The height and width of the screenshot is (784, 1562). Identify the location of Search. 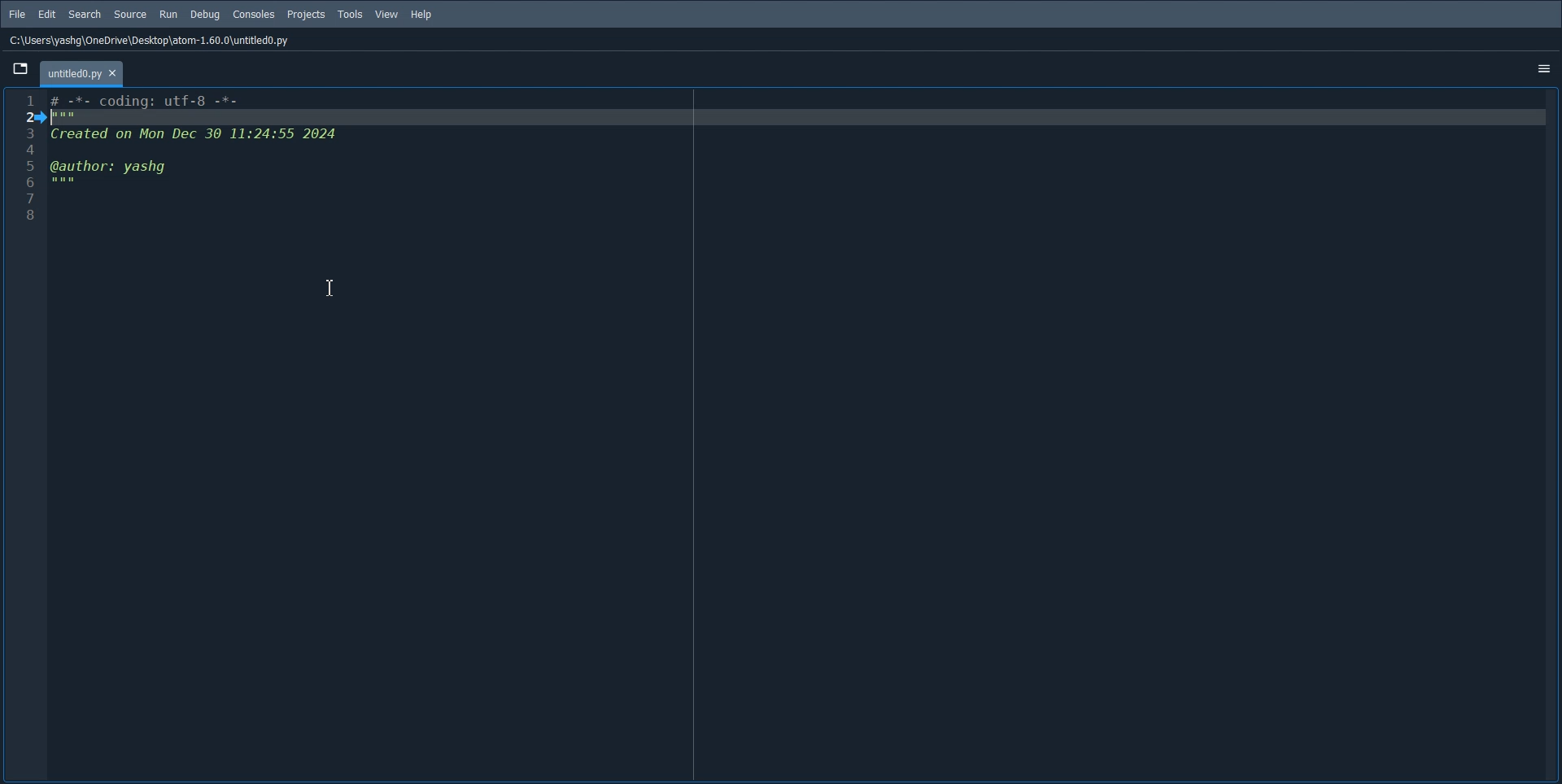
(85, 15).